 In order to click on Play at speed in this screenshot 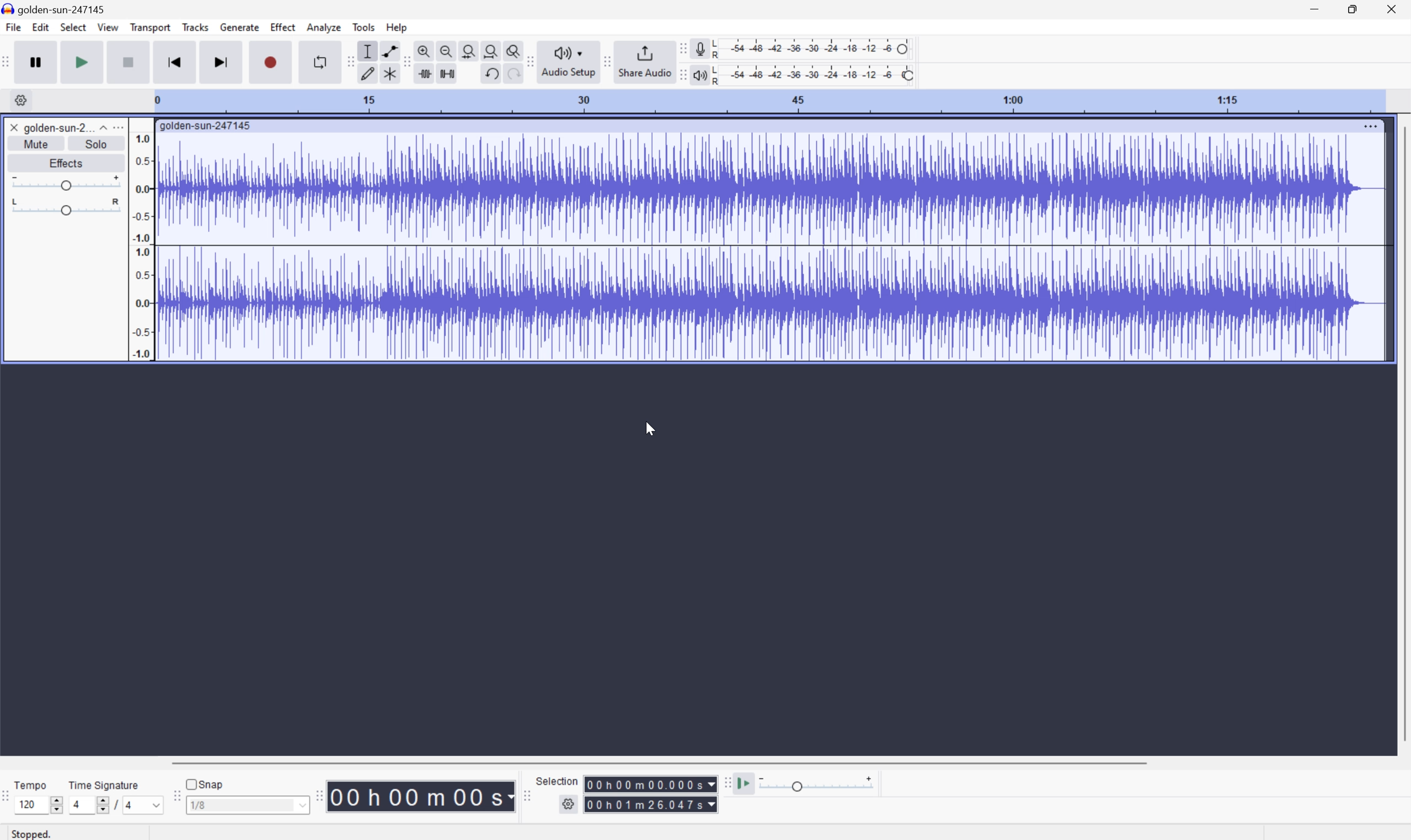, I will do `click(745, 784)`.